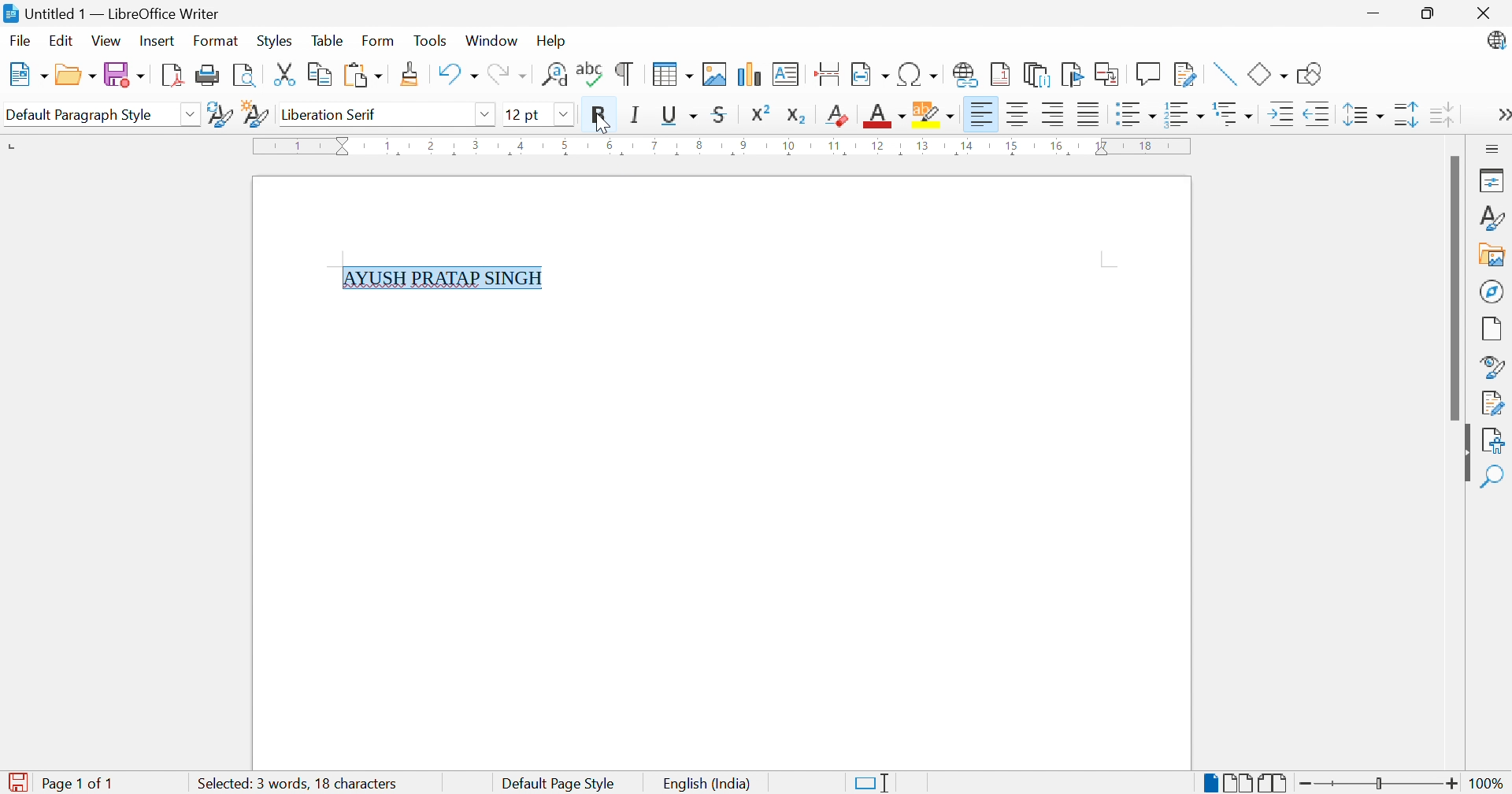 Image resolution: width=1512 pixels, height=794 pixels. Describe the element at coordinates (321, 74) in the screenshot. I see `Copy` at that location.